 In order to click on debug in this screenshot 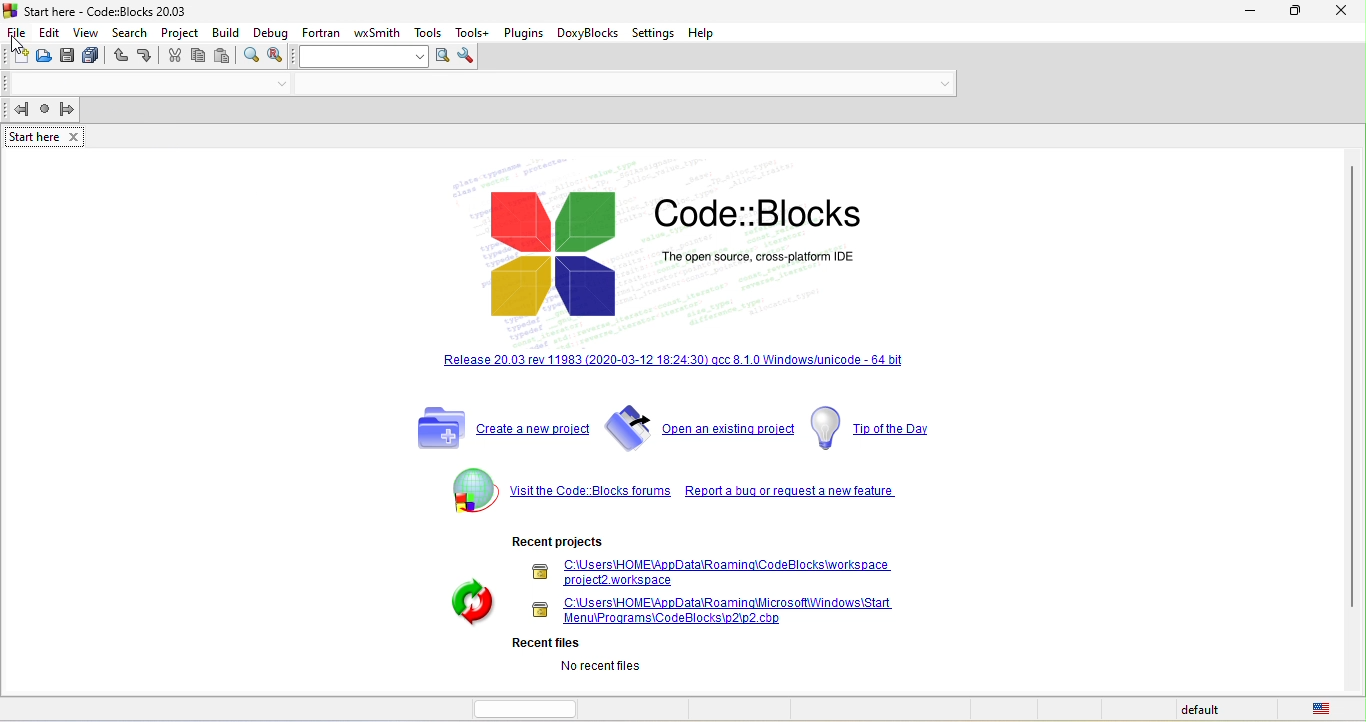, I will do `click(270, 31)`.